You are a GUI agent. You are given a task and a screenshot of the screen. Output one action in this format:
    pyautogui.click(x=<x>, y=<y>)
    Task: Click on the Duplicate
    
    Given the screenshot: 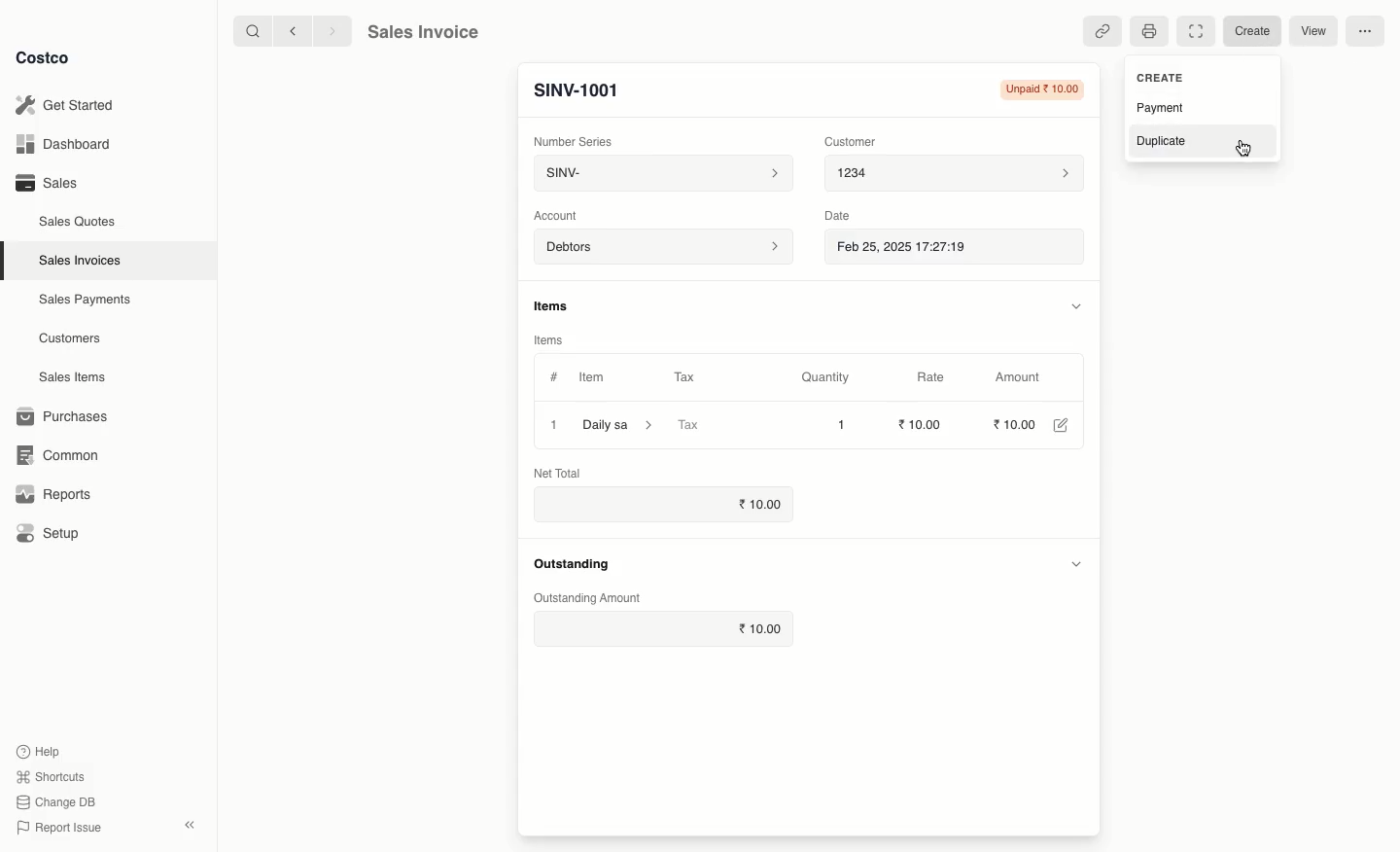 What is the action you would take?
    pyautogui.click(x=1163, y=143)
    